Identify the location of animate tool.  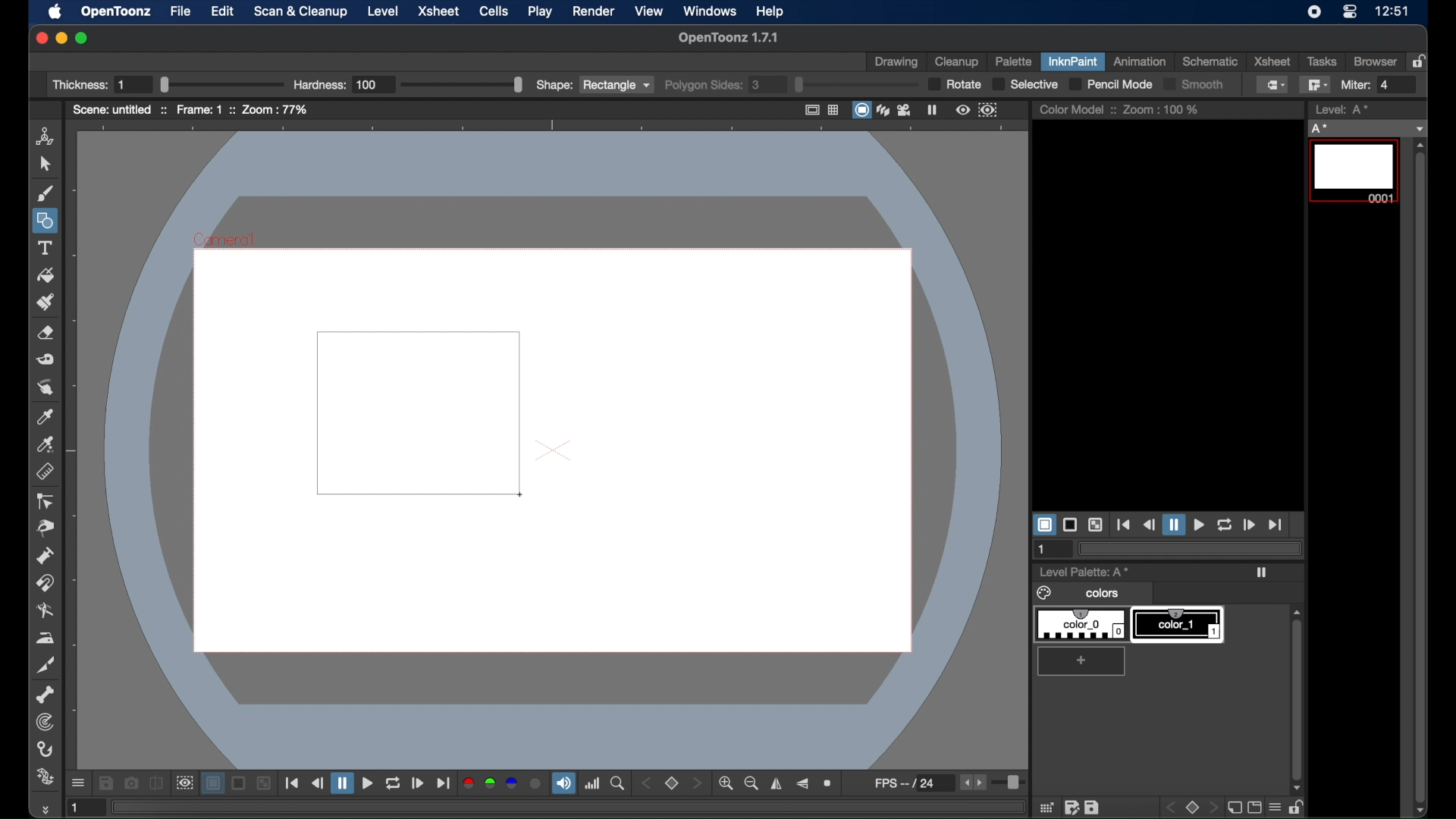
(45, 136).